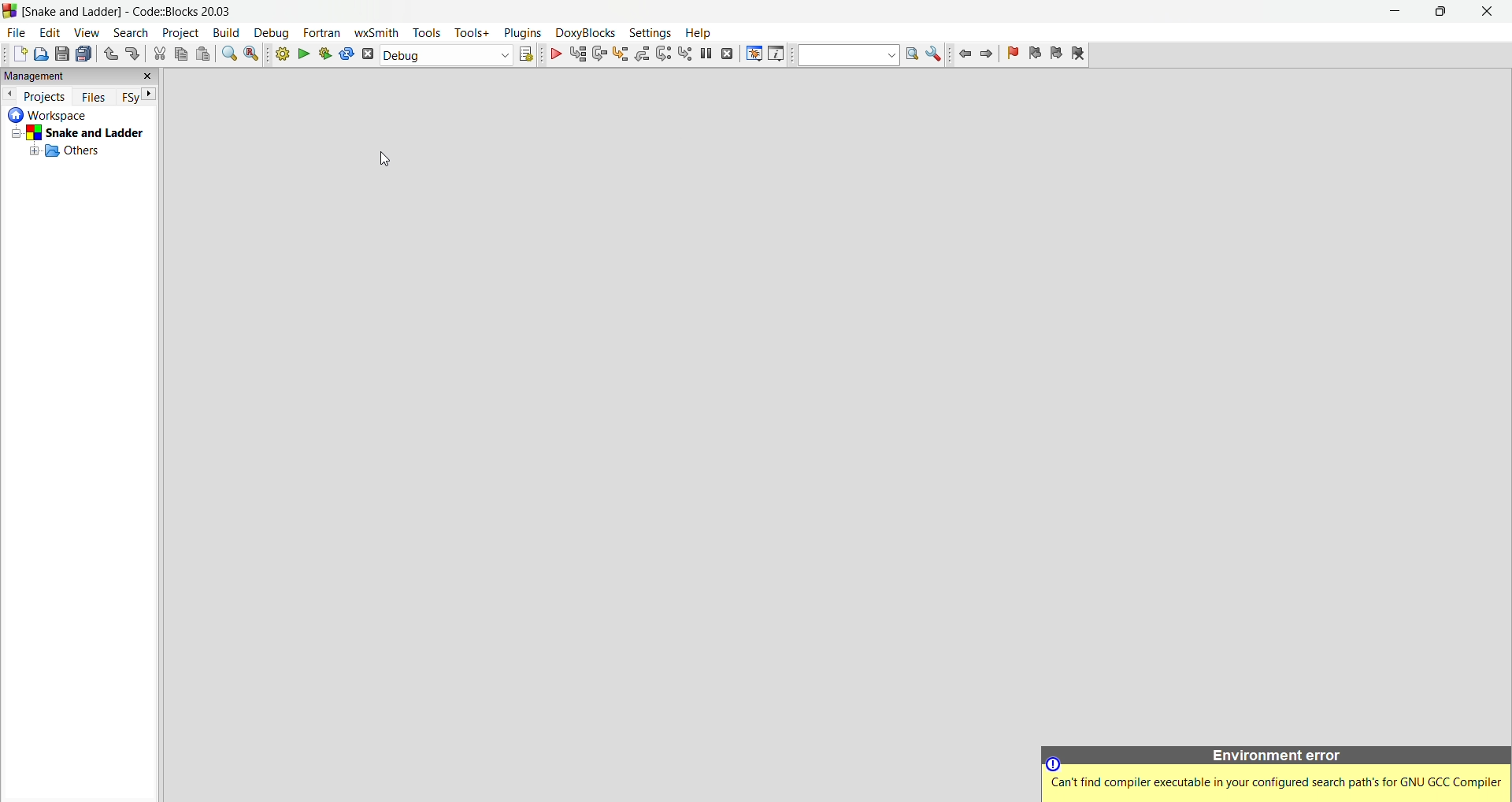 The width and height of the screenshot is (1512, 802). Describe the element at coordinates (554, 54) in the screenshot. I see `debug ` at that location.